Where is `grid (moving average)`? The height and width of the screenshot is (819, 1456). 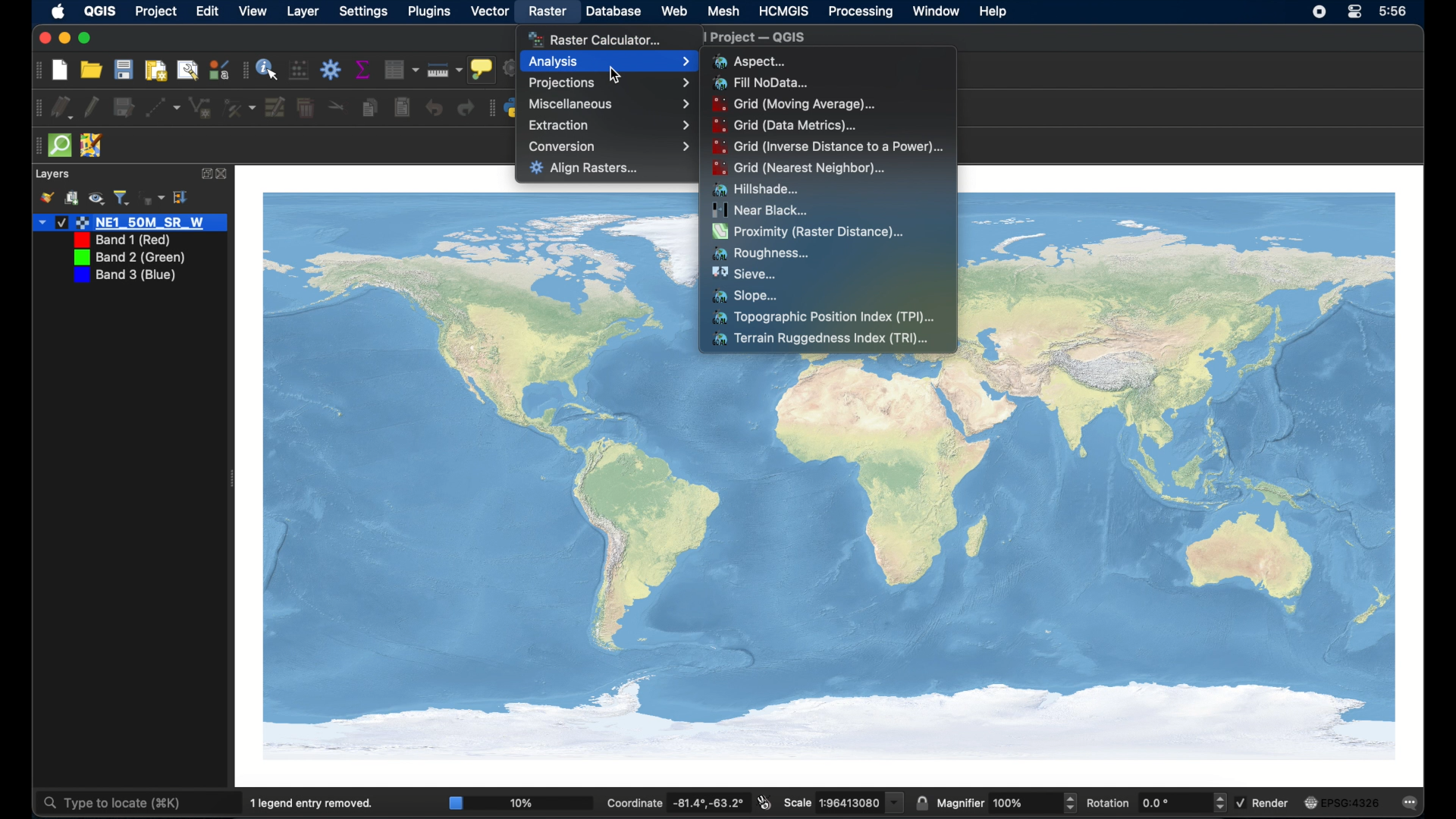
grid (moving average) is located at coordinates (800, 105).